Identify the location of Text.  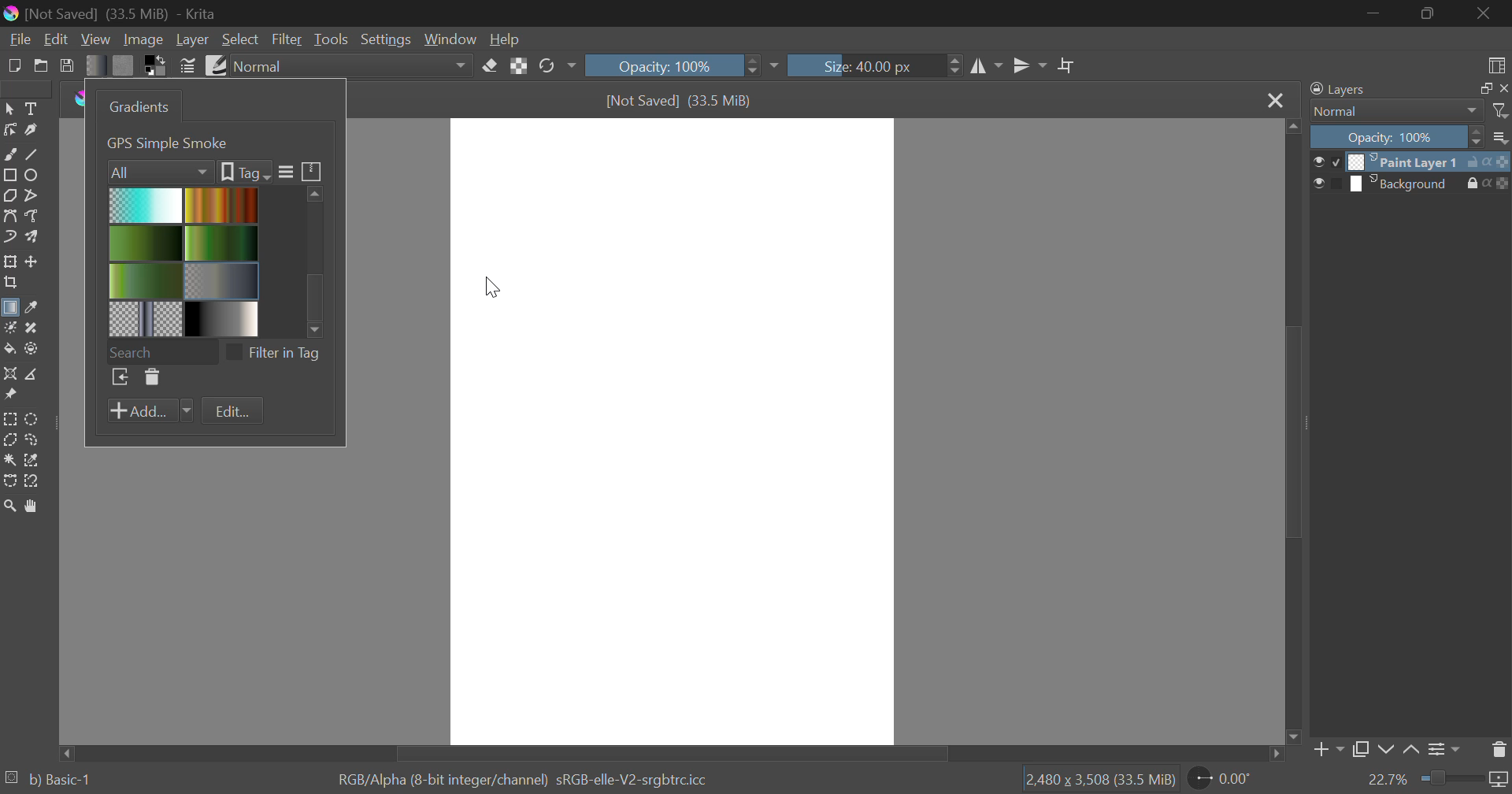
(30, 107).